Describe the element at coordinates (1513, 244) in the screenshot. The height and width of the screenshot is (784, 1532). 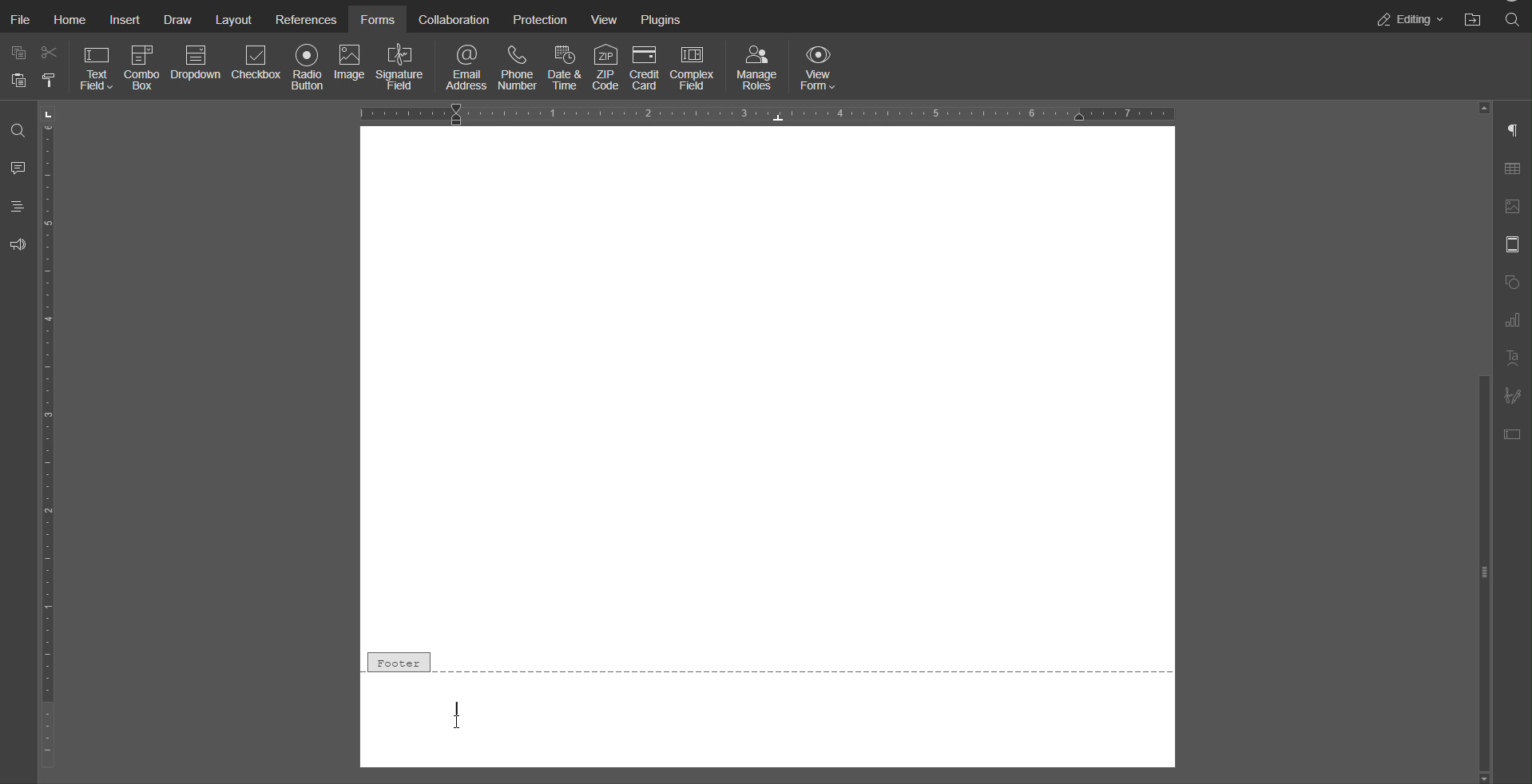
I see `Header/Footer` at that location.